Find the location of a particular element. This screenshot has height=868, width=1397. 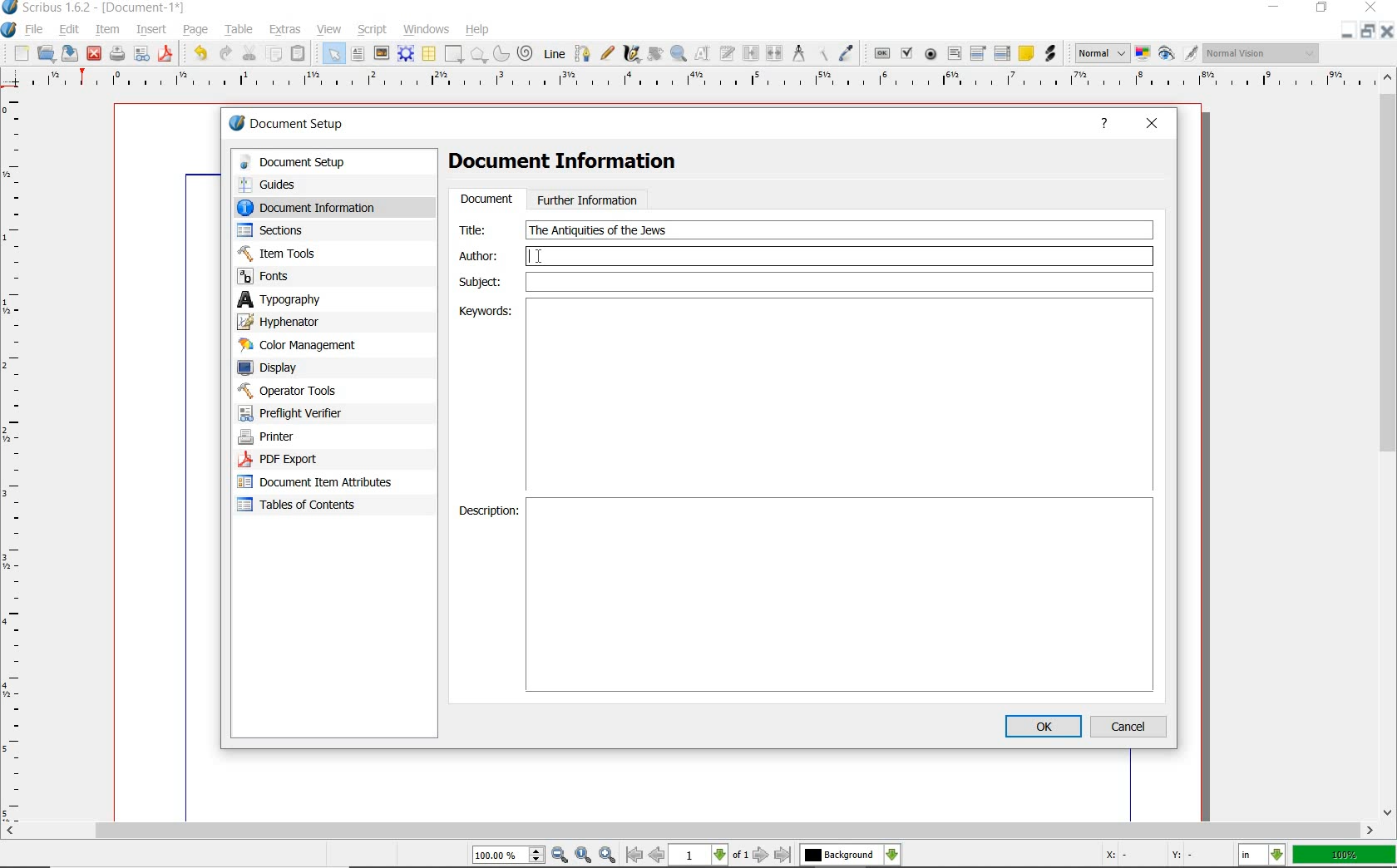

preflight verifier is located at coordinates (141, 55).